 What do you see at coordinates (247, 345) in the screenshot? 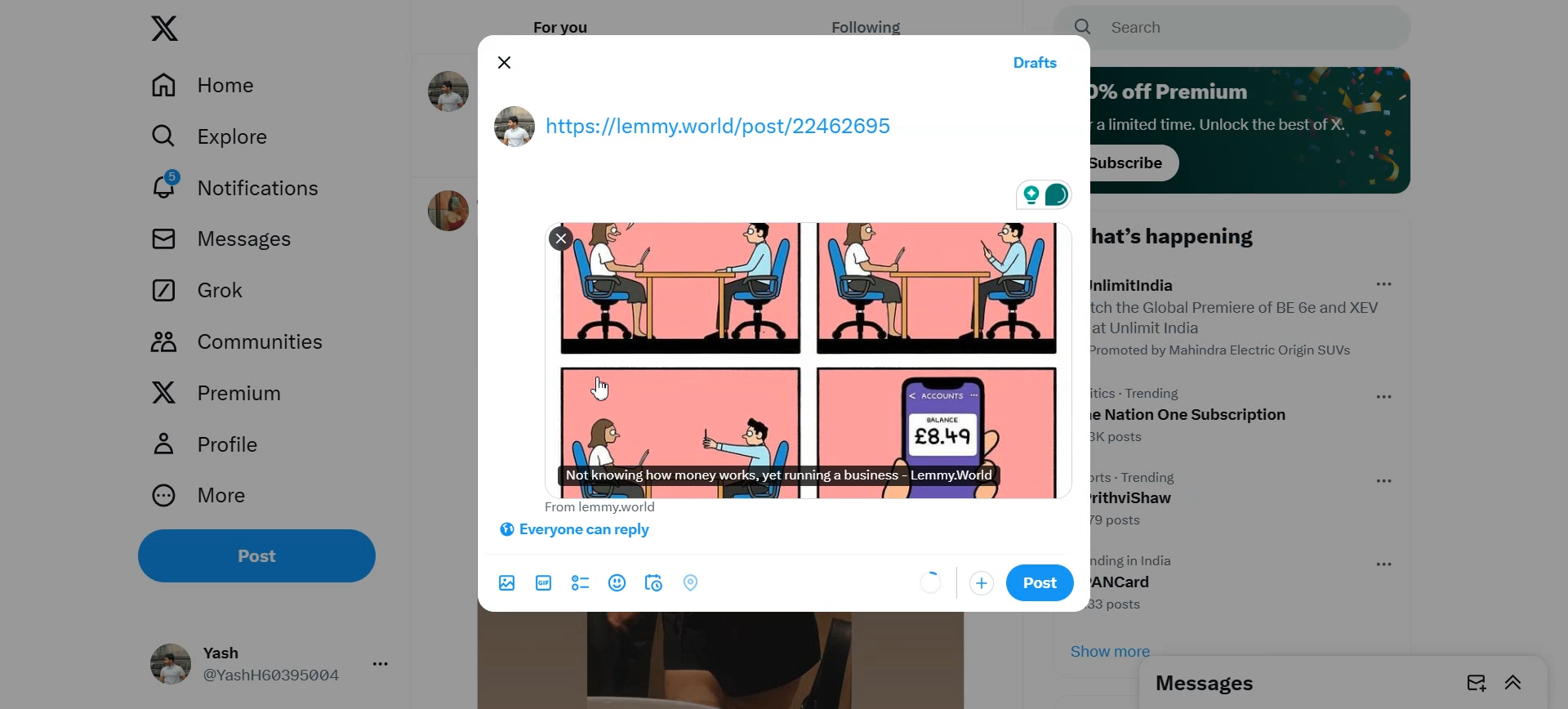
I see `communities ` at bounding box center [247, 345].